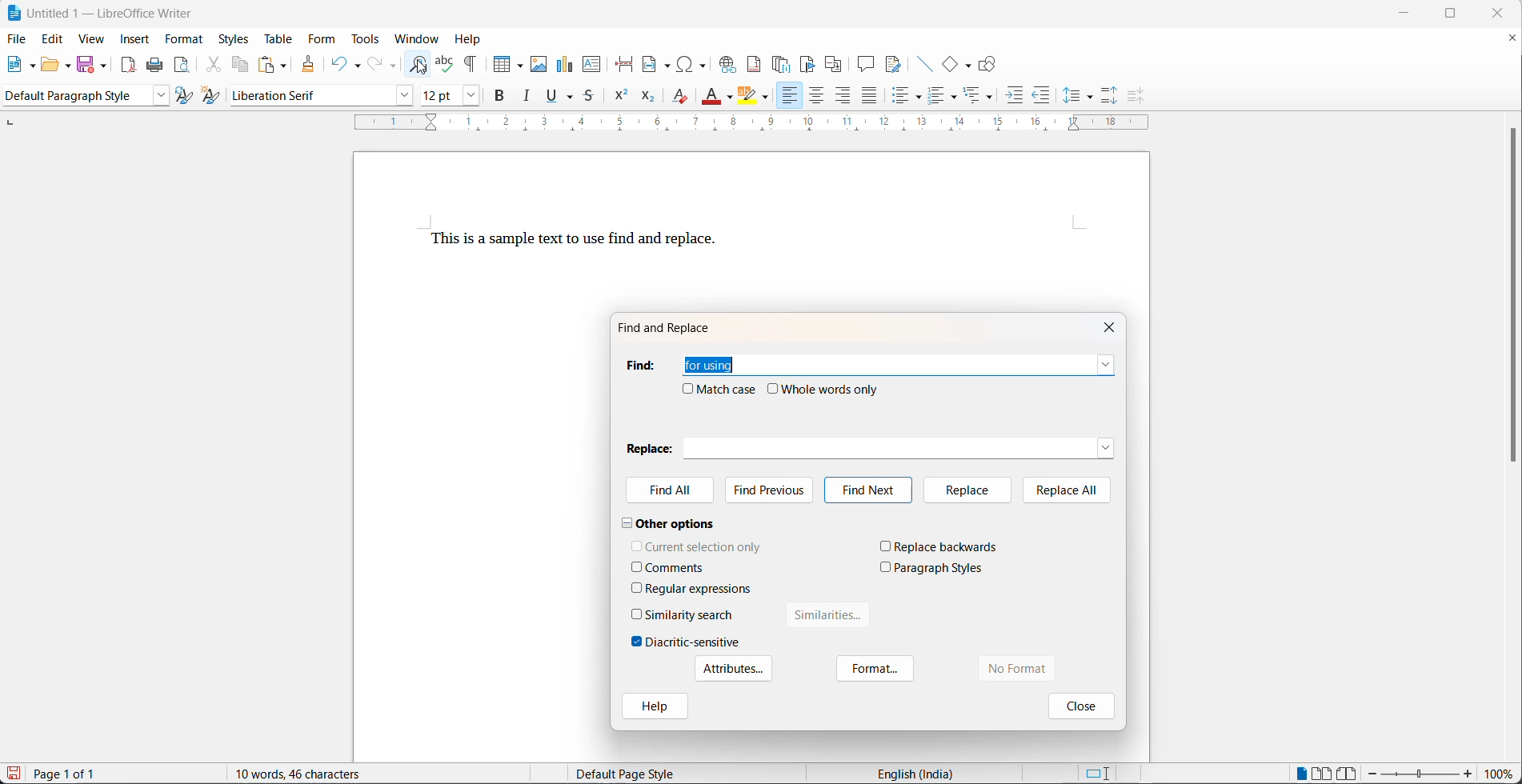 The width and height of the screenshot is (1522, 784). I want to click on find dropdown button, so click(1106, 365).